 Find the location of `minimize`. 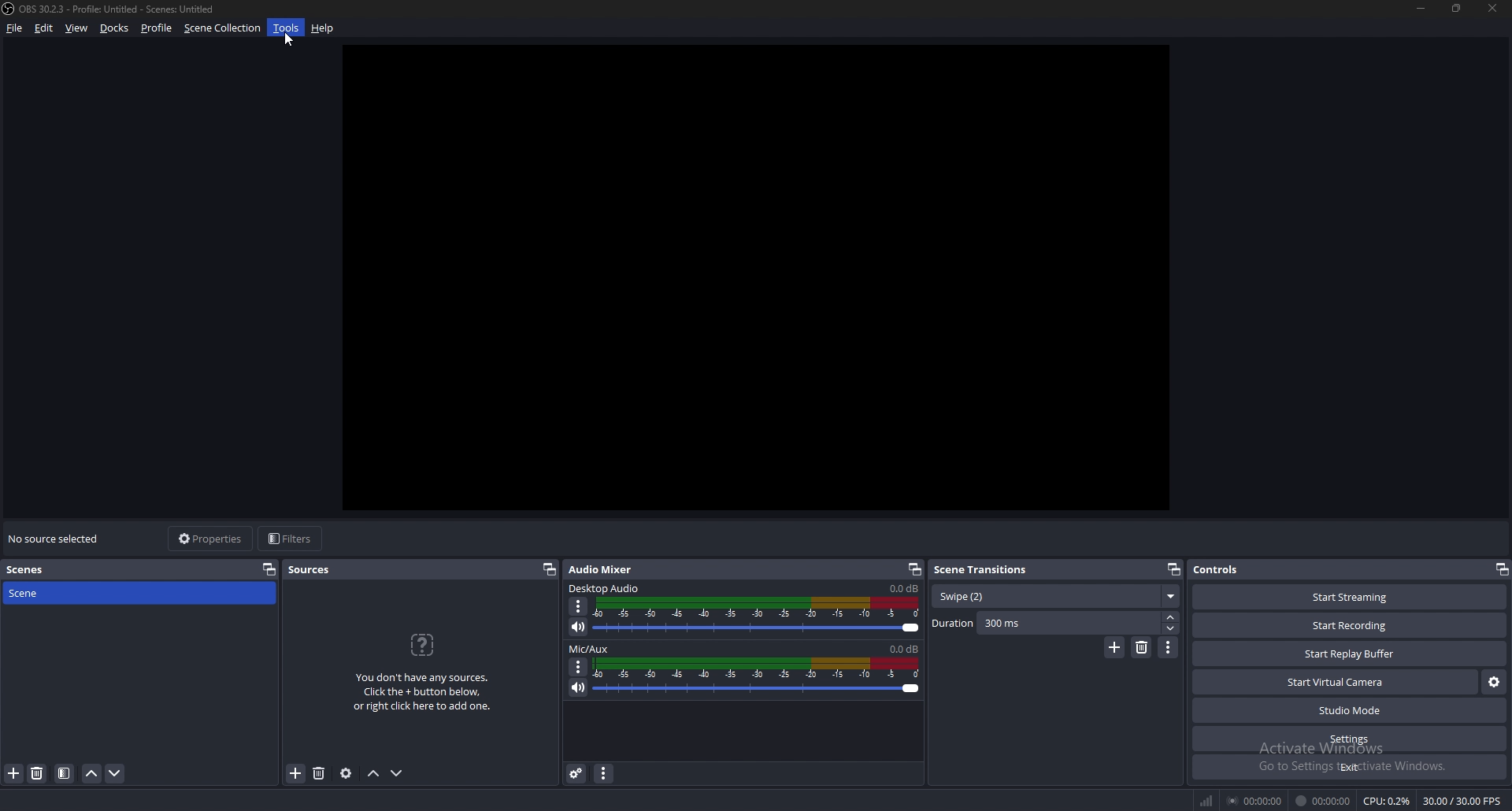

minimize is located at coordinates (1421, 8).